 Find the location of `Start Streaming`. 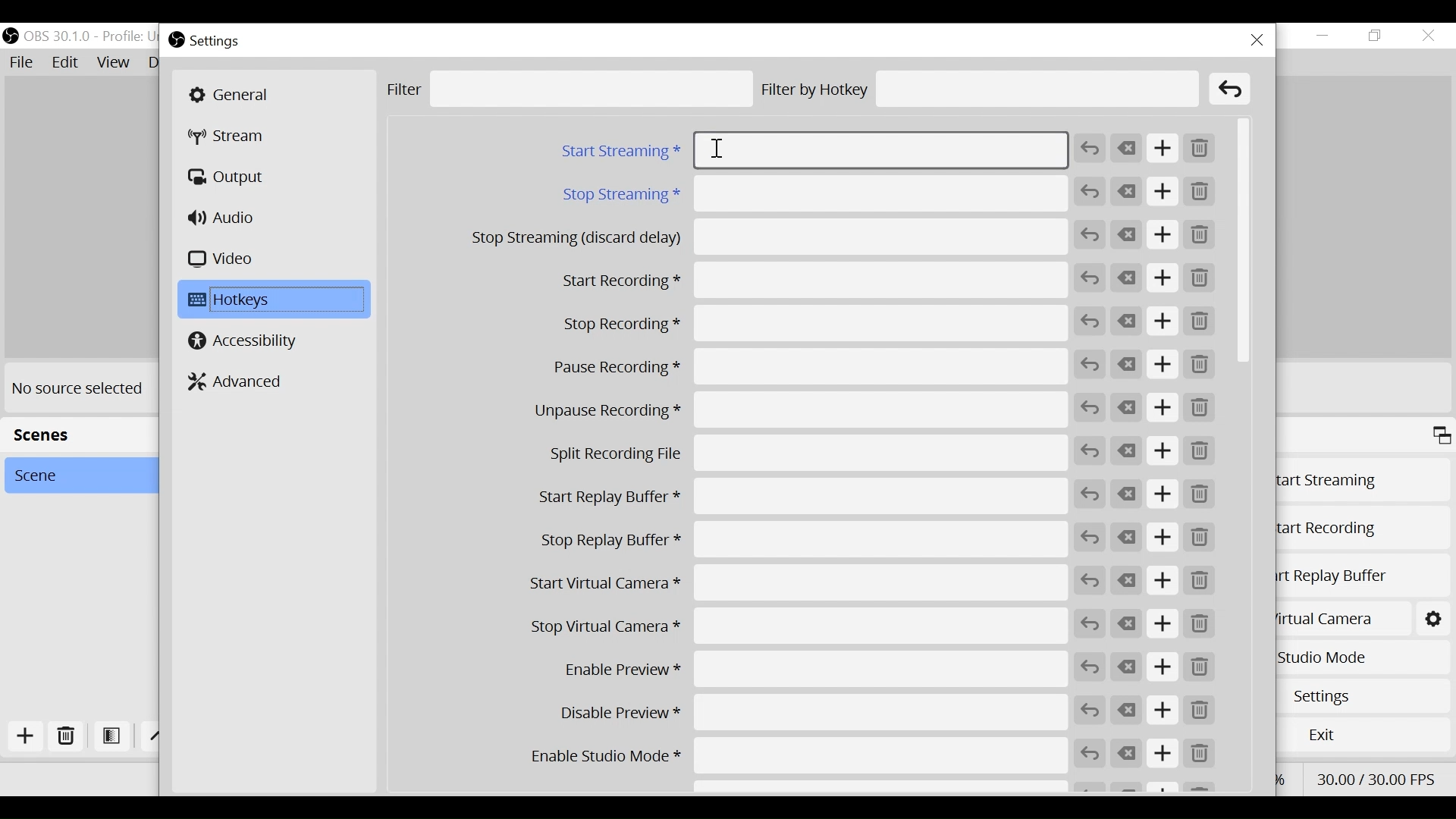

Start Streaming is located at coordinates (1355, 479).